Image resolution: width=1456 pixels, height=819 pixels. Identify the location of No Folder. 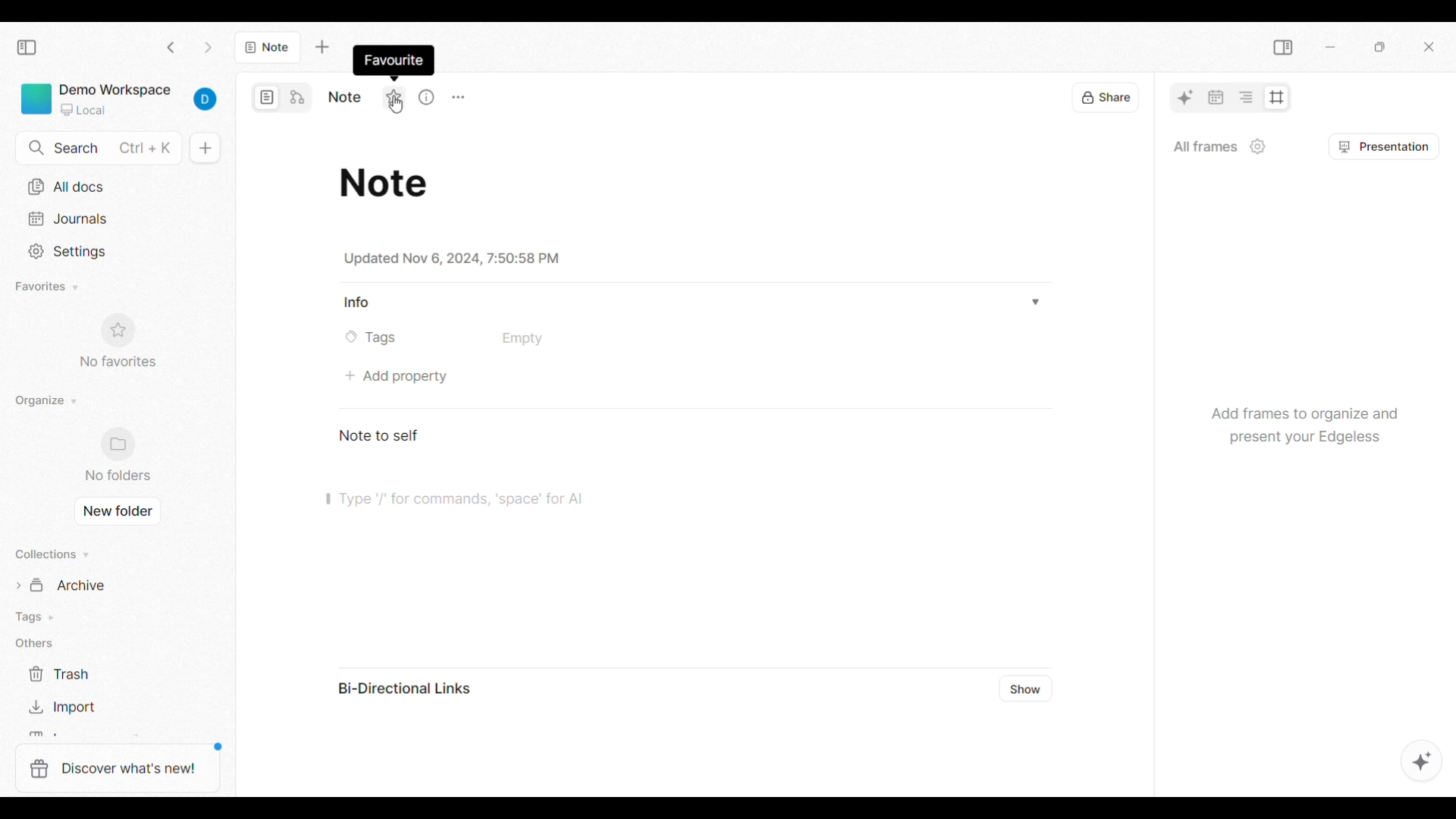
(121, 455).